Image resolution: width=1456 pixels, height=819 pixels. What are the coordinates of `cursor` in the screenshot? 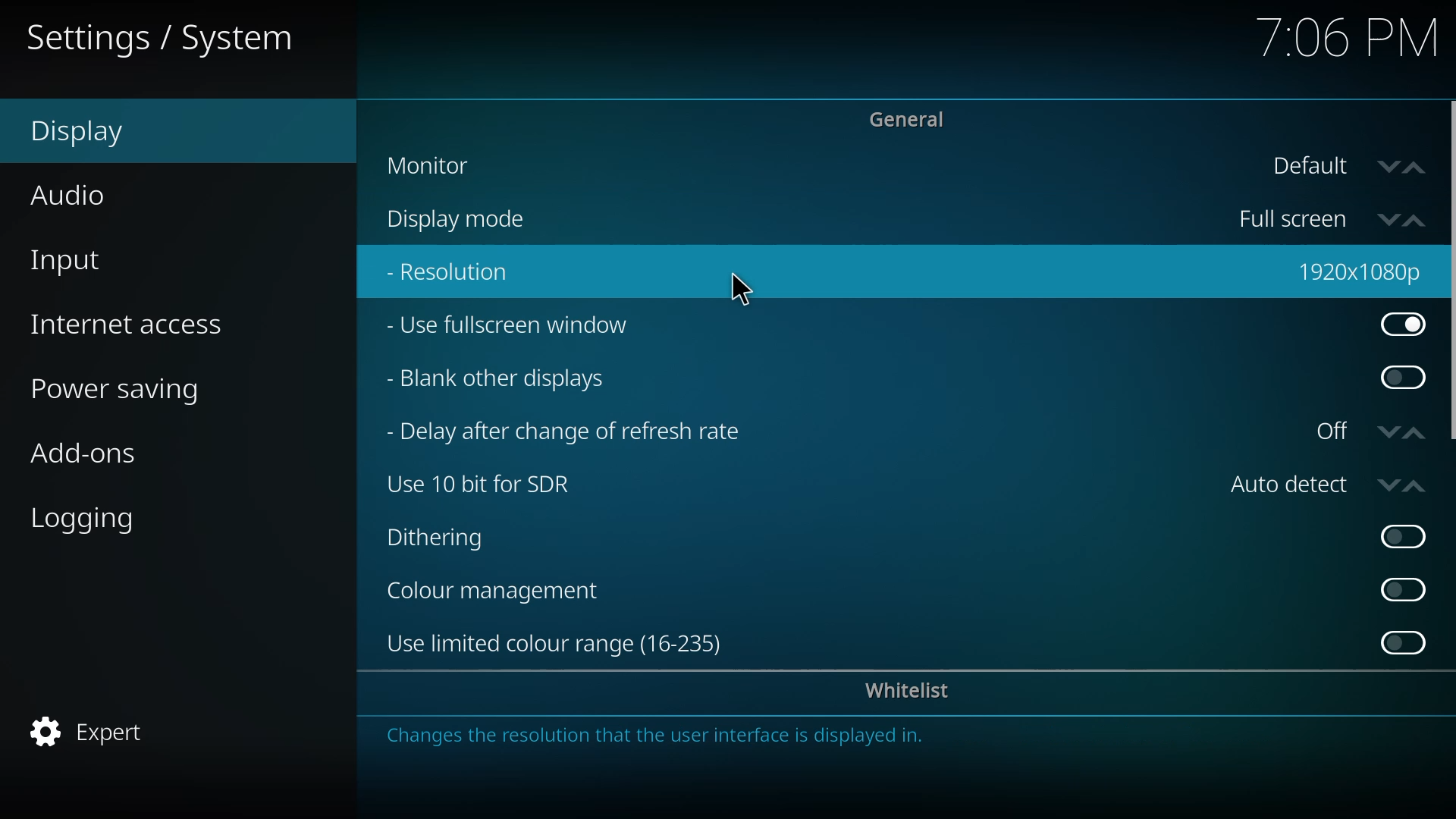 It's located at (736, 290).